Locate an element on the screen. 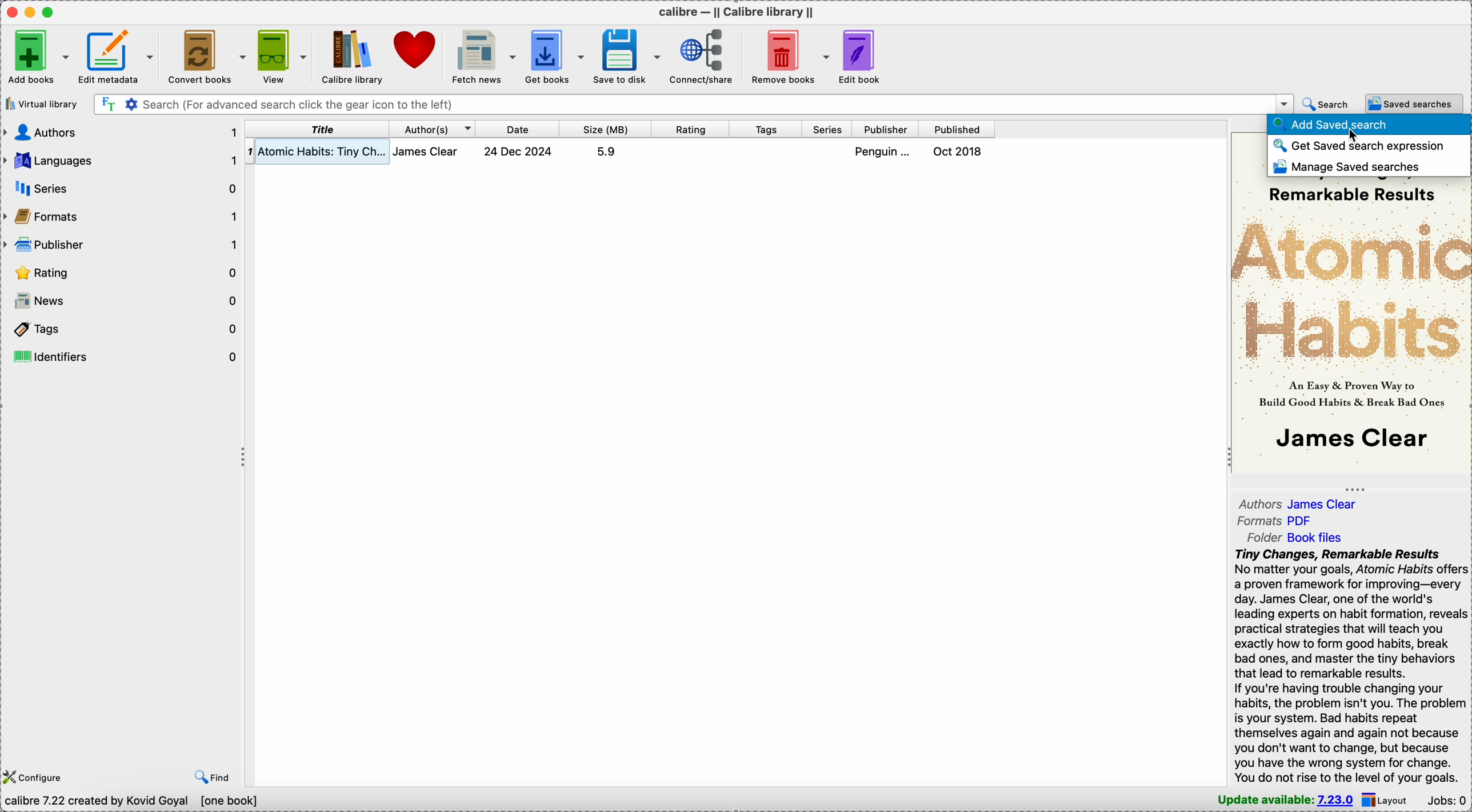 Image resolution: width=1472 pixels, height=812 pixels. size is located at coordinates (606, 129).